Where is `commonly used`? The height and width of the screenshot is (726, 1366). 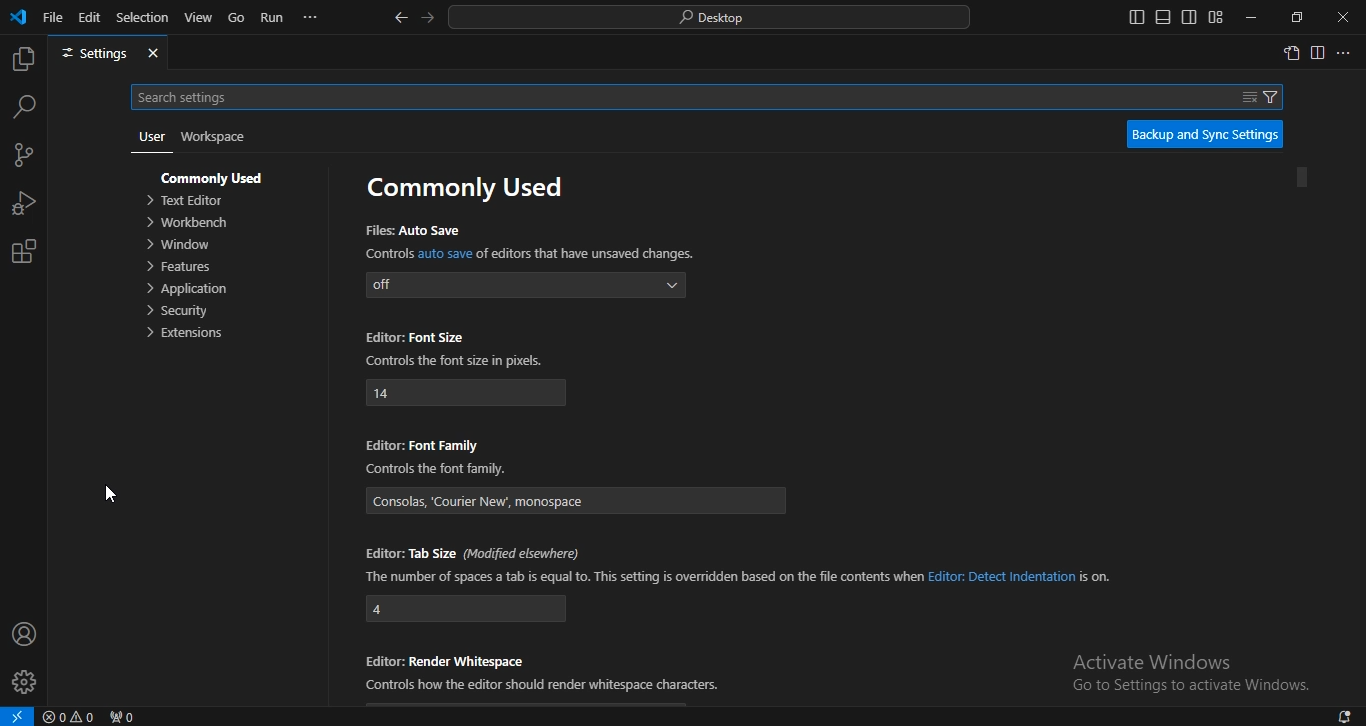 commonly used is located at coordinates (213, 178).